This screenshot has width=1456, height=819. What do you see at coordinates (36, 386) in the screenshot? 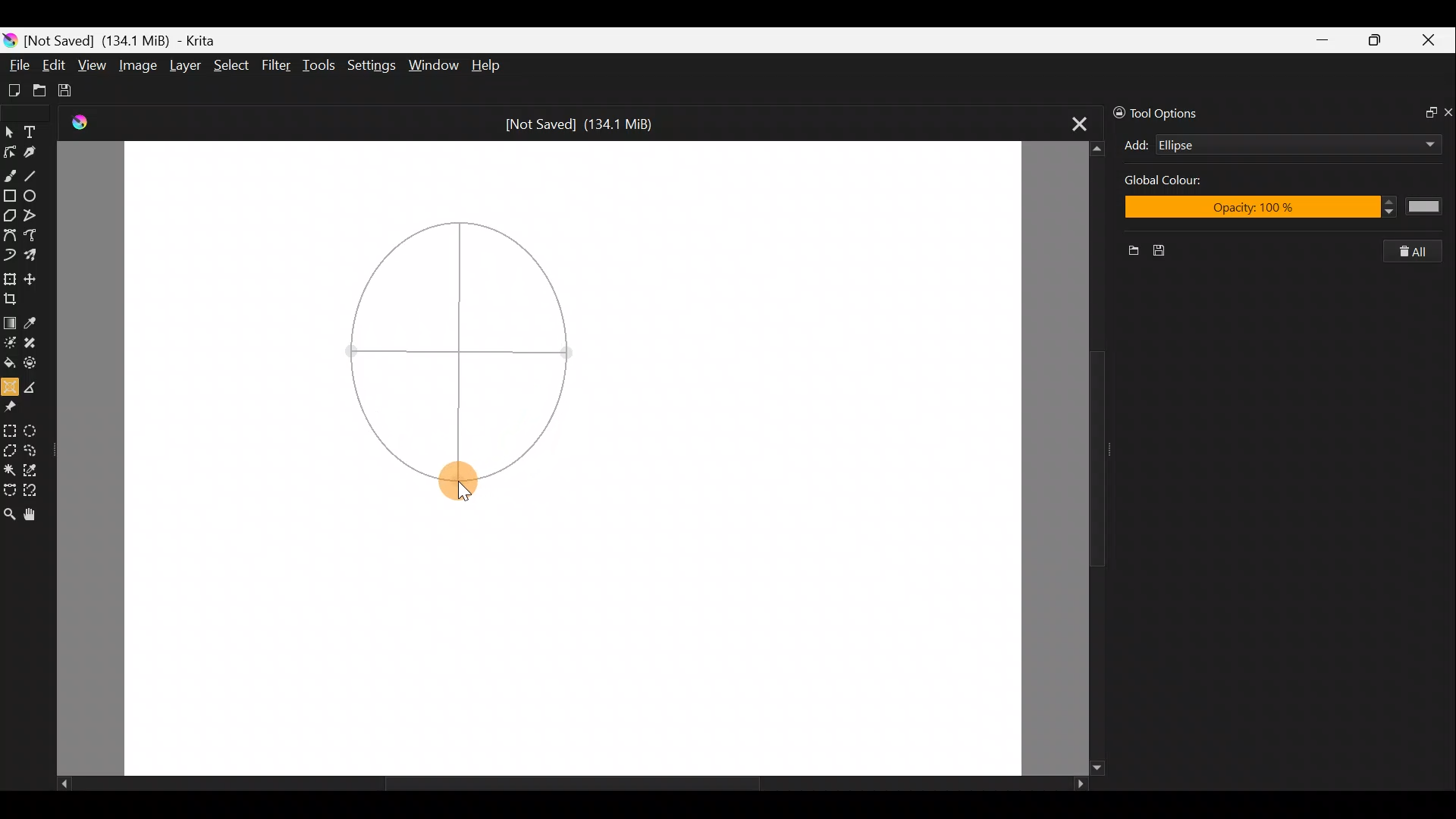
I see `Measure the distance between two points` at bounding box center [36, 386].